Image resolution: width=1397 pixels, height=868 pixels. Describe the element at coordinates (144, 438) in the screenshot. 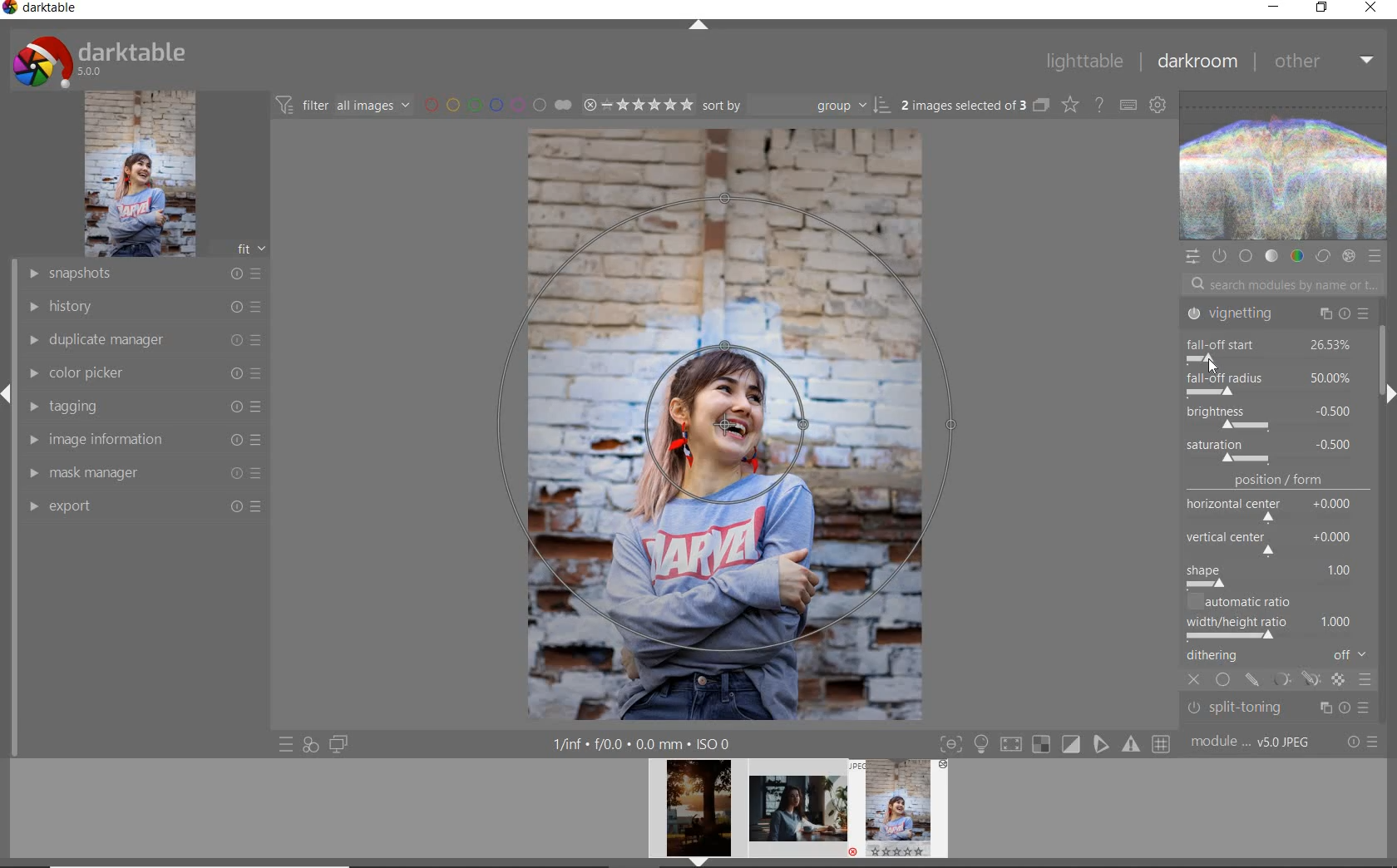

I see `image information` at that location.